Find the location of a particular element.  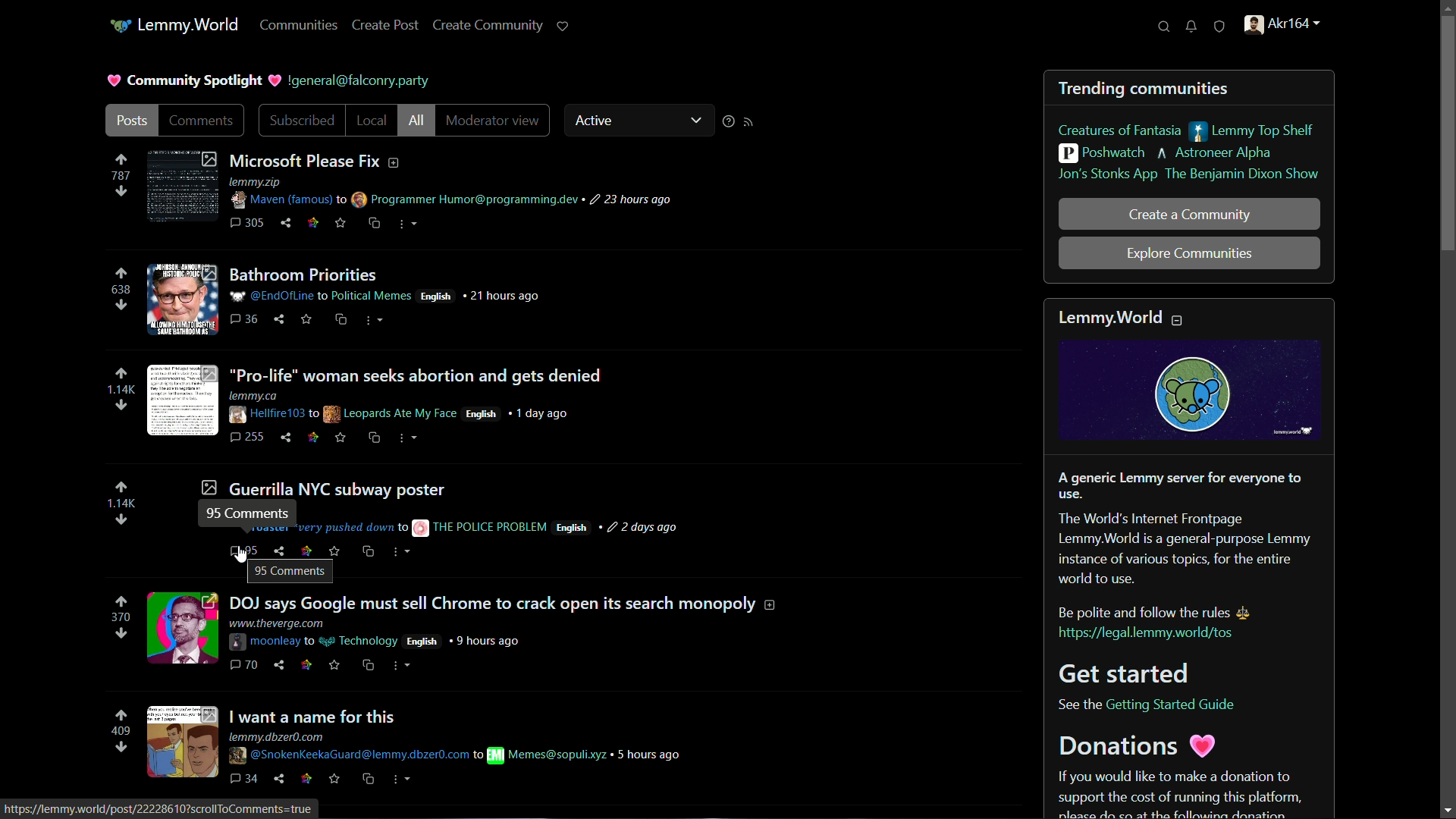

active is located at coordinates (594, 121).